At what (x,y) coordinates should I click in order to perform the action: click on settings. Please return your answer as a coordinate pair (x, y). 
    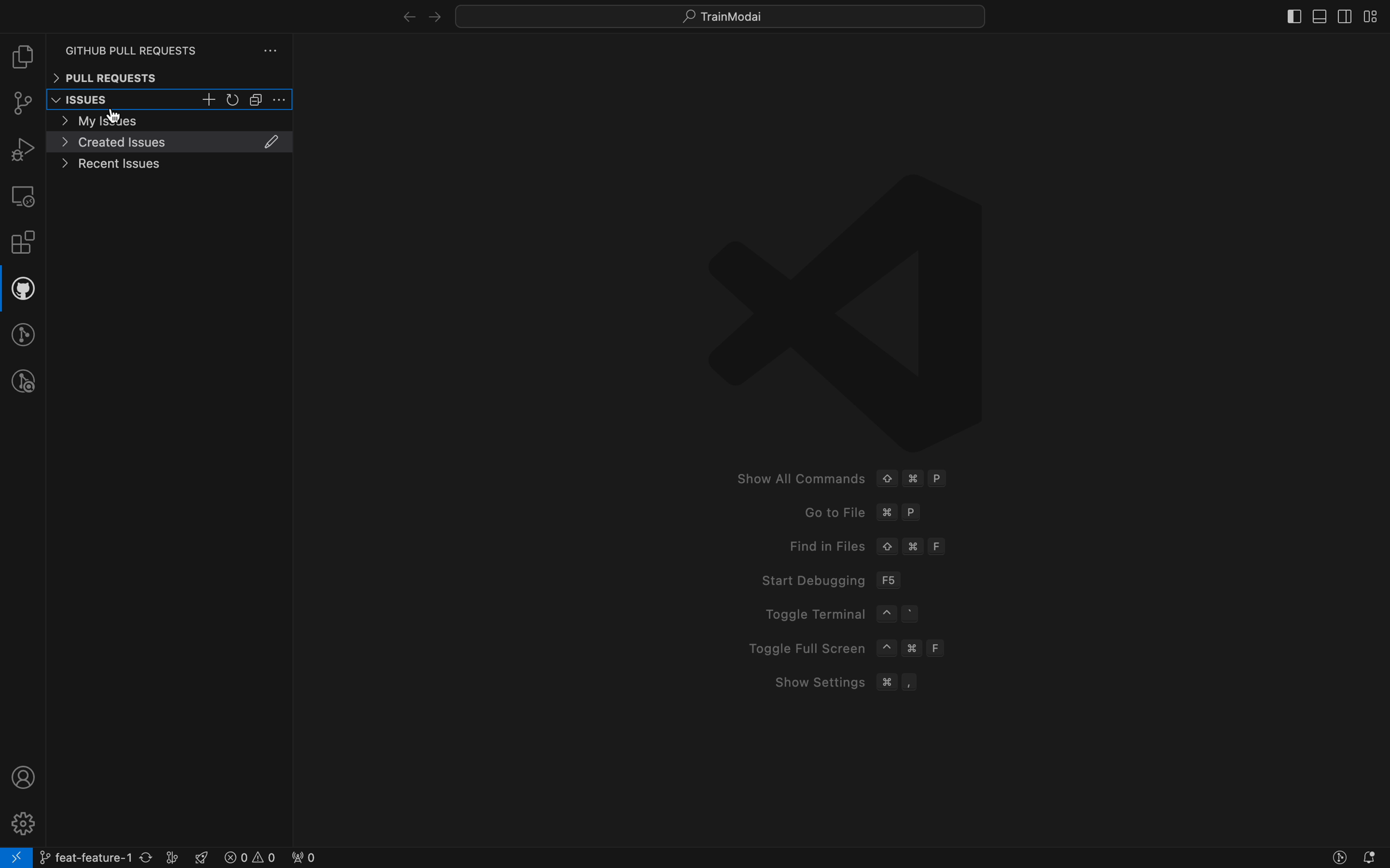
    Looking at the image, I should click on (281, 100).